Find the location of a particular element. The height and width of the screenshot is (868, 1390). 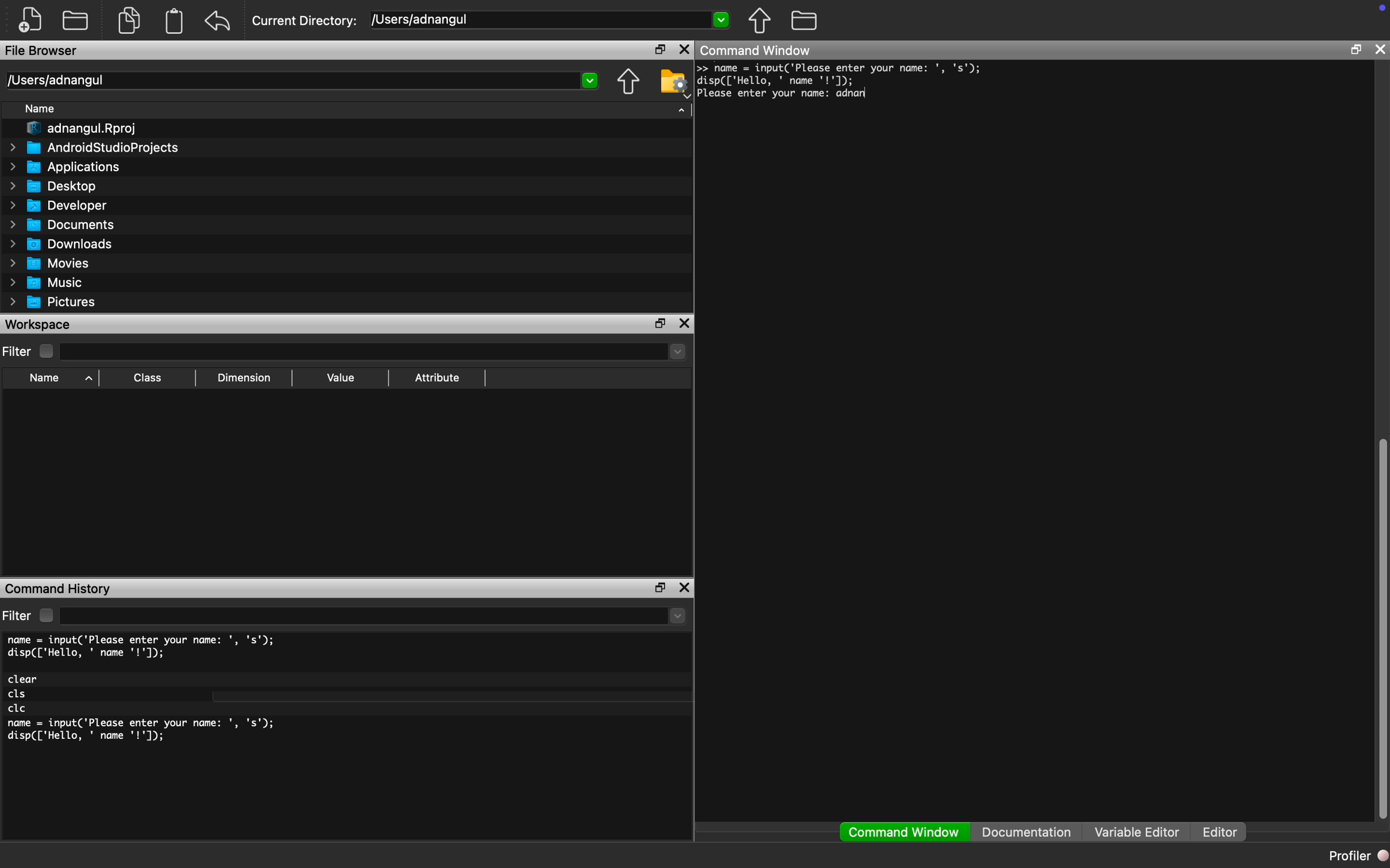

maximize is located at coordinates (658, 588).